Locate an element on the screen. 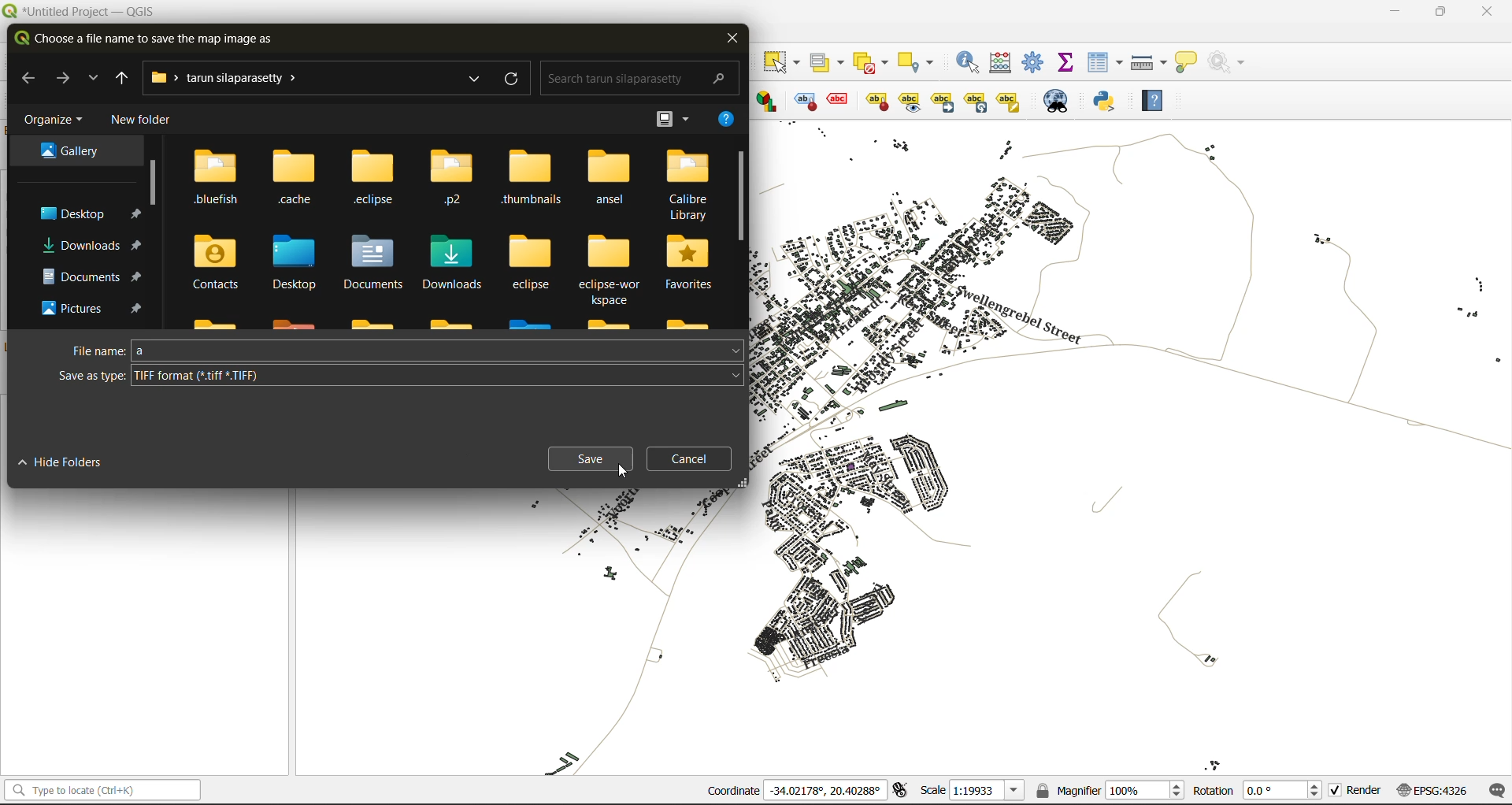  save is located at coordinates (591, 460).